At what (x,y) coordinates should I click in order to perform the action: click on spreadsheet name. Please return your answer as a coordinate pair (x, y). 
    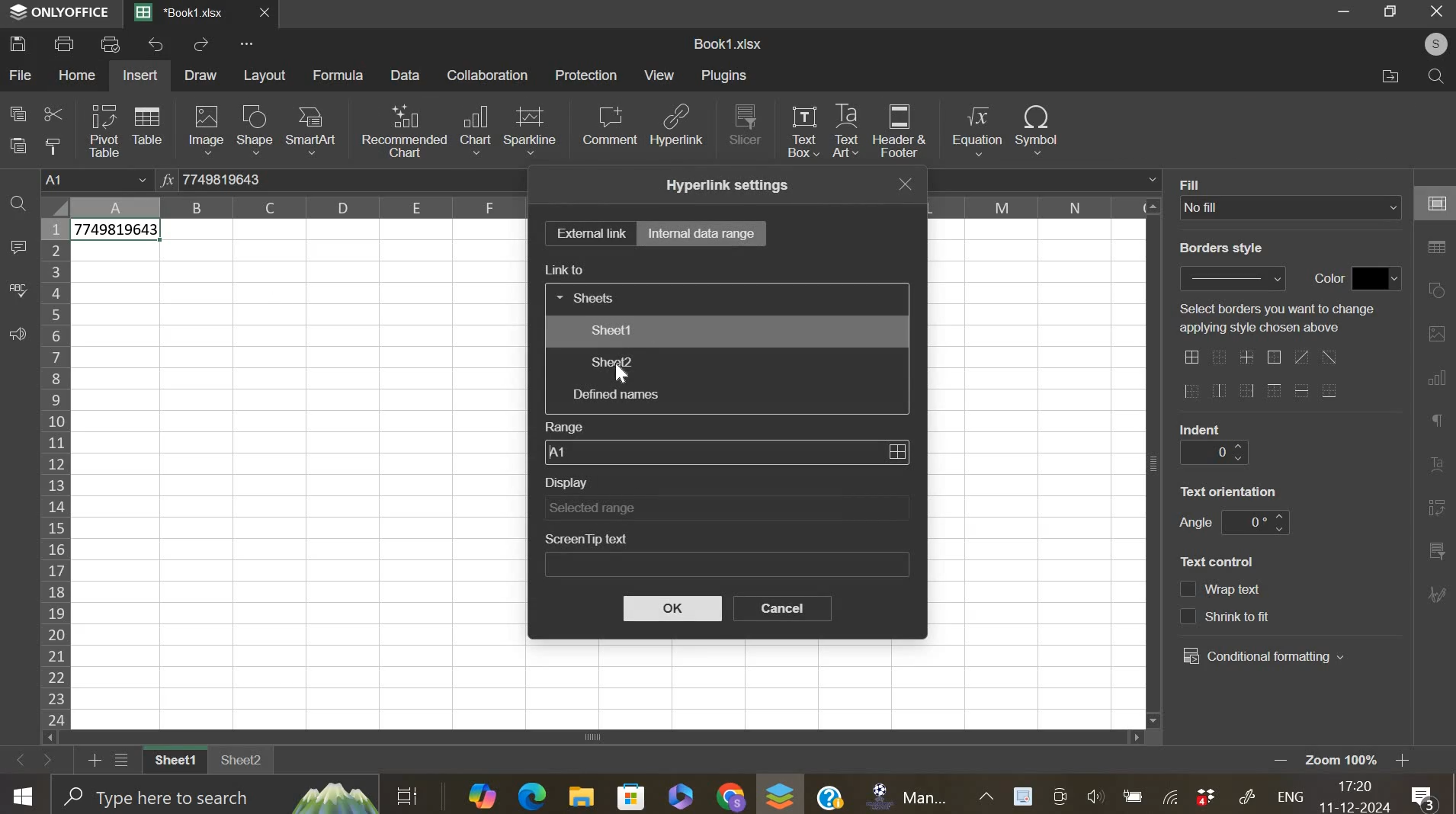
    Looking at the image, I should click on (727, 43).